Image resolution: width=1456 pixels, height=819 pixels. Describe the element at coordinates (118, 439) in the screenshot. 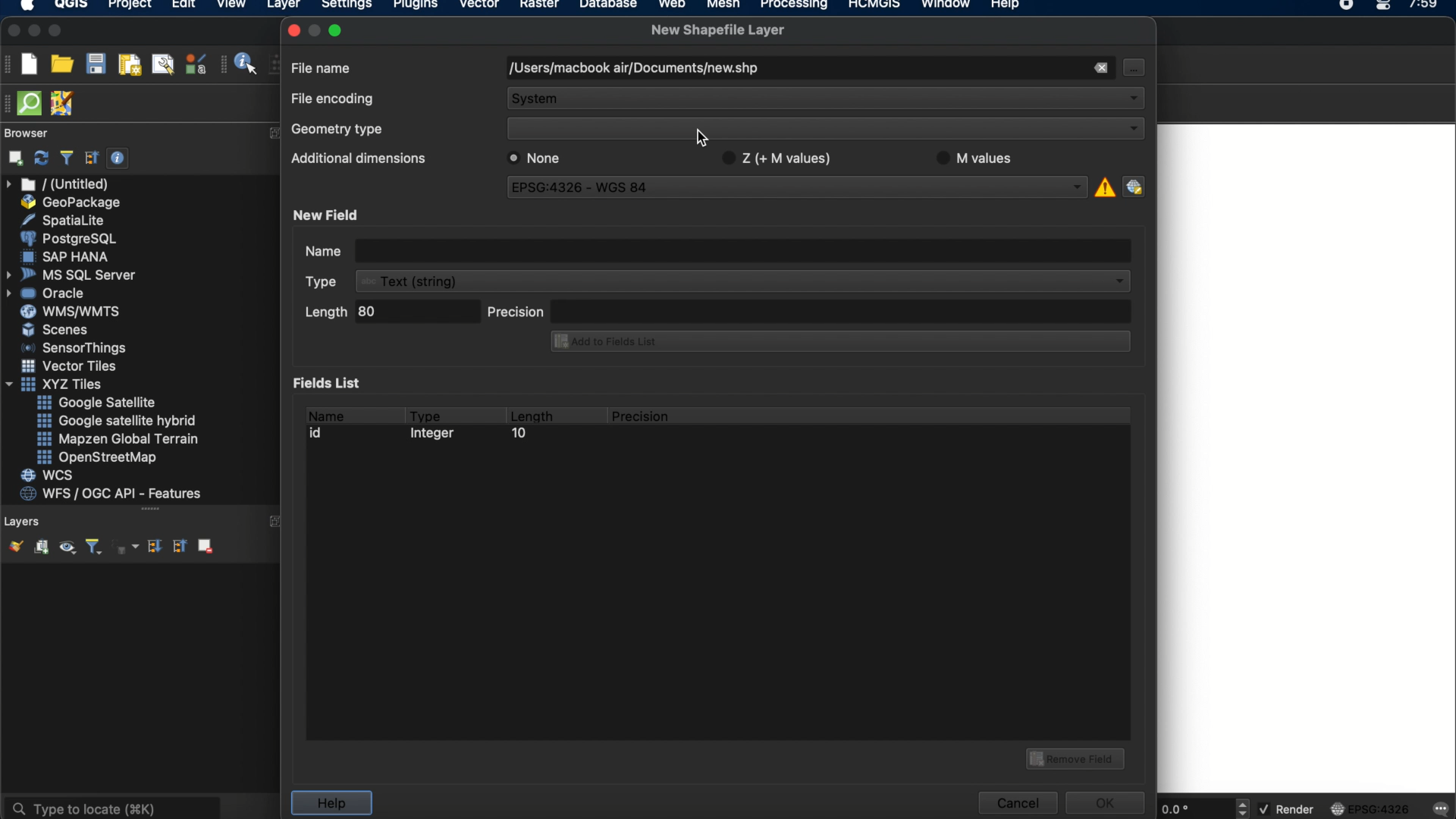

I see `mapzen global terrain` at that location.